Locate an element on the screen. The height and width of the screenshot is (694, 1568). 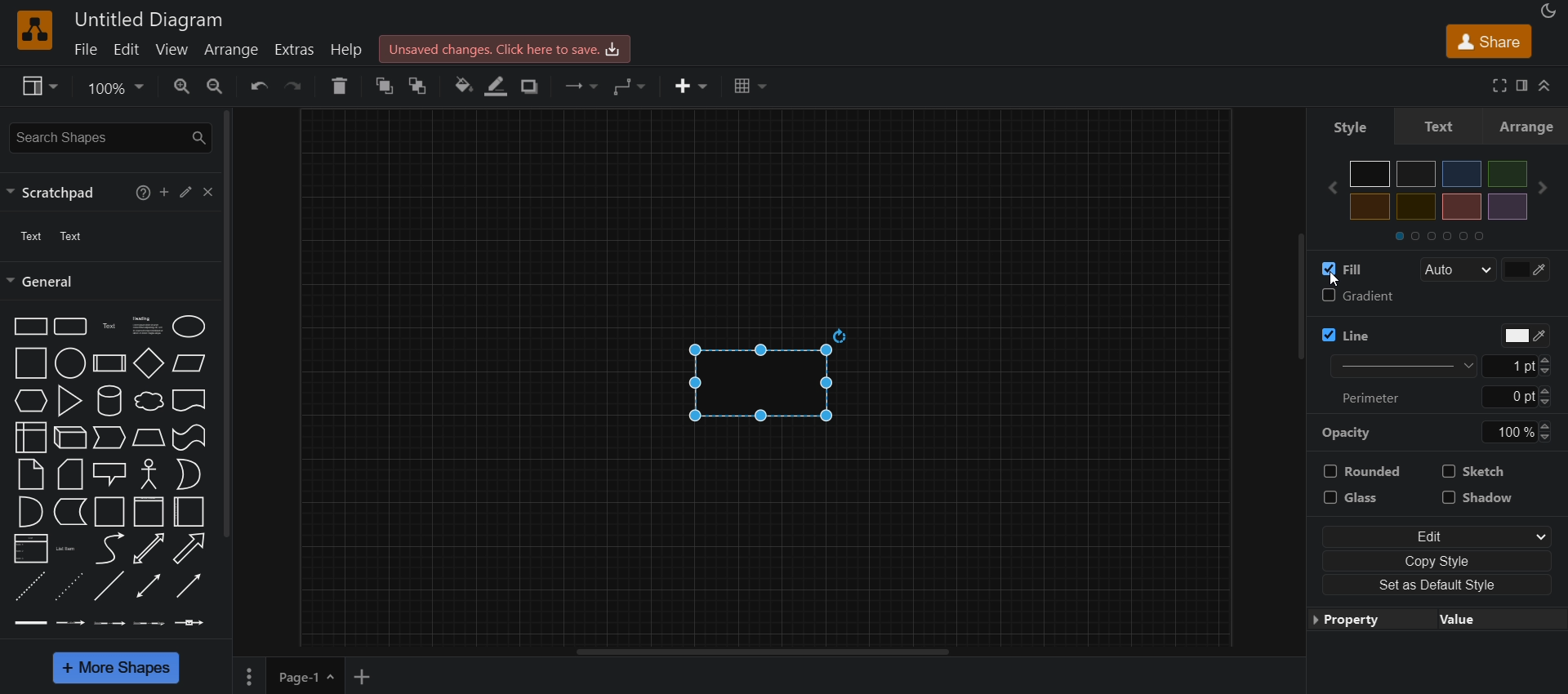
zoom is located at coordinates (118, 87).